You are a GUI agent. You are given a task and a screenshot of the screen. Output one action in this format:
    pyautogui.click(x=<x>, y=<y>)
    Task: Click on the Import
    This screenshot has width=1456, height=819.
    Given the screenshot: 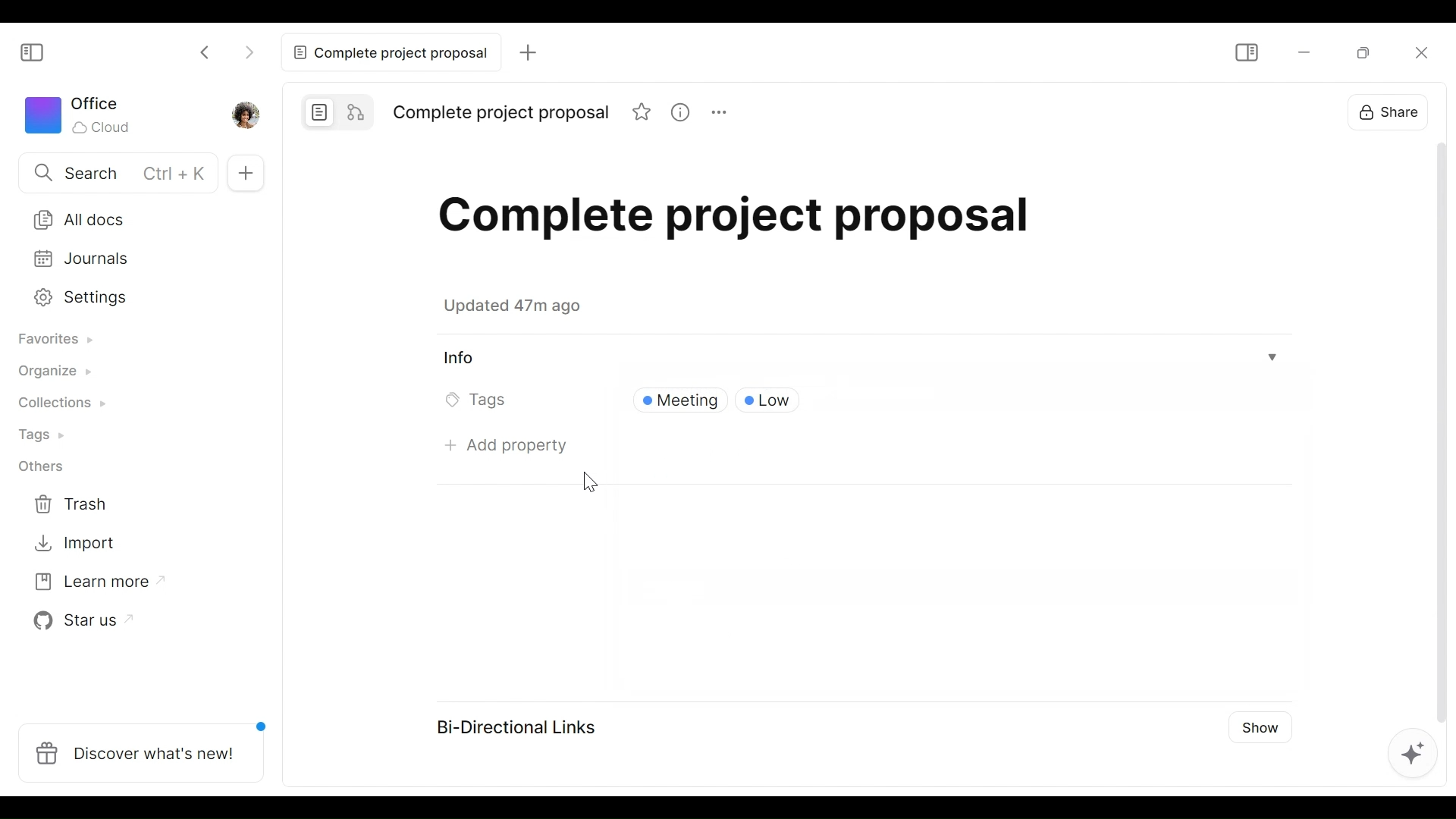 What is the action you would take?
    pyautogui.click(x=79, y=544)
    